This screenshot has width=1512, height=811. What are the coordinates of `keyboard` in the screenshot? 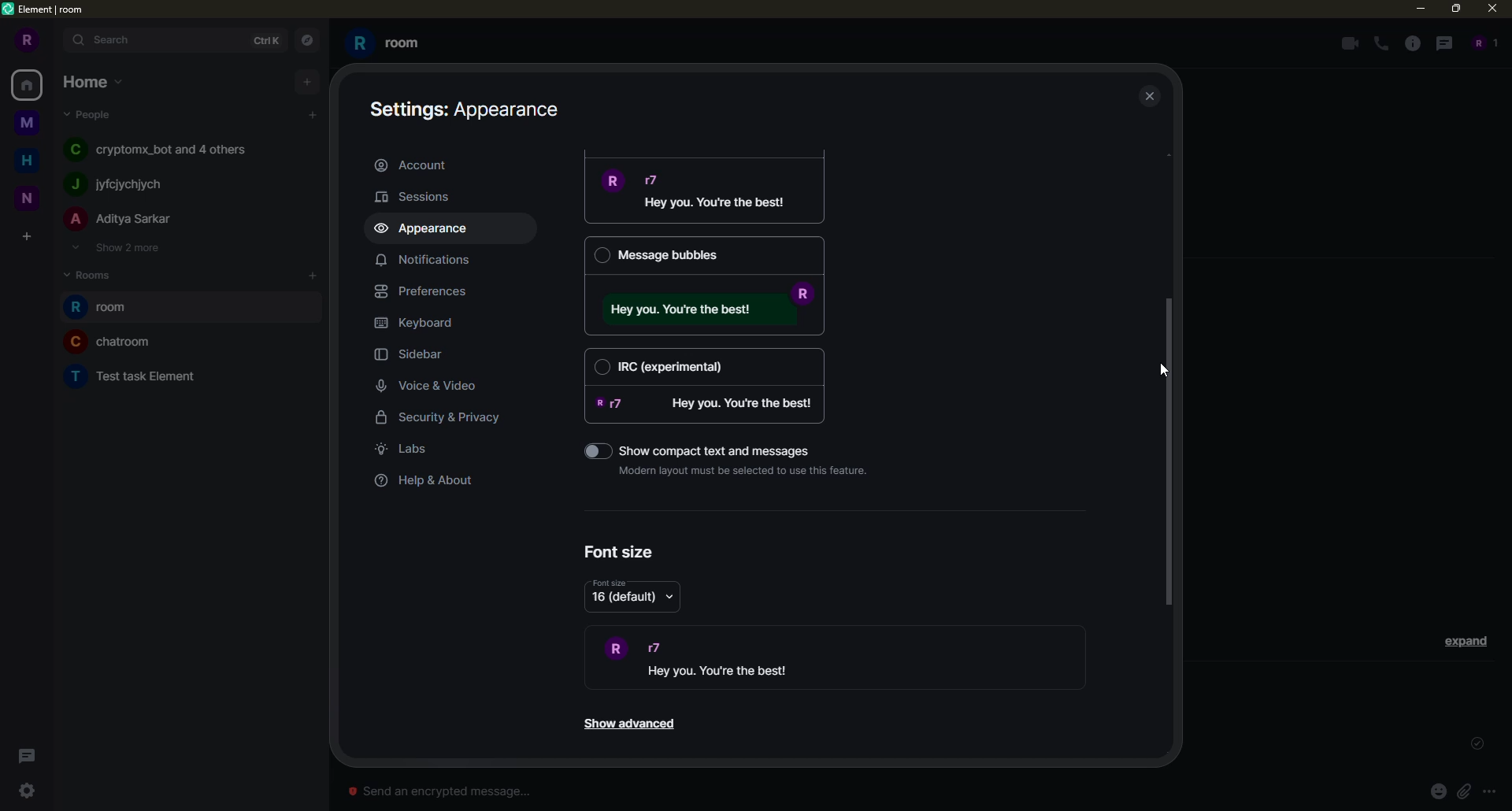 It's located at (418, 323).